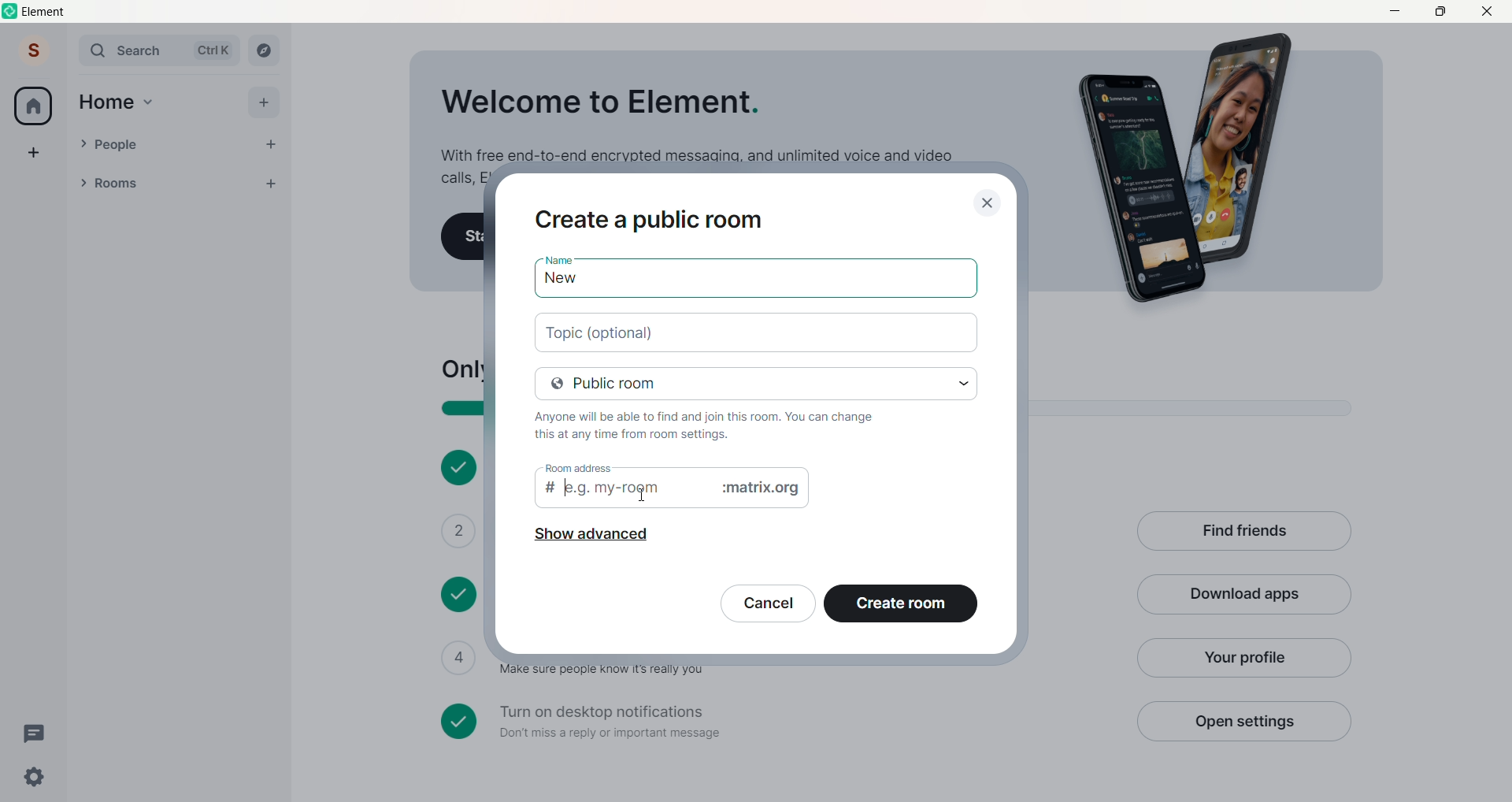 Image resolution: width=1512 pixels, height=802 pixels. Describe the element at coordinates (34, 50) in the screenshot. I see `Account` at that location.